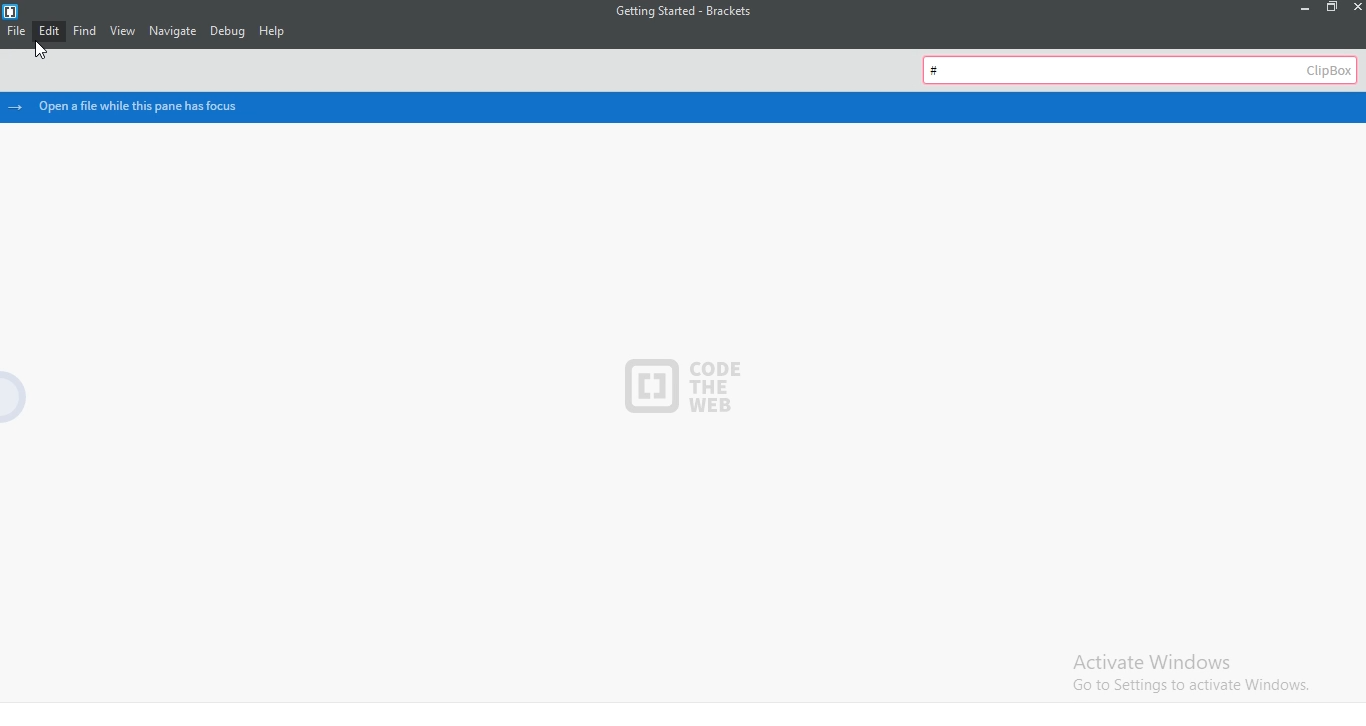 The height and width of the screenshot is (726, 1366). Describe the element at coordinates (87, 32) in the screenshot. I see `find` at that location.